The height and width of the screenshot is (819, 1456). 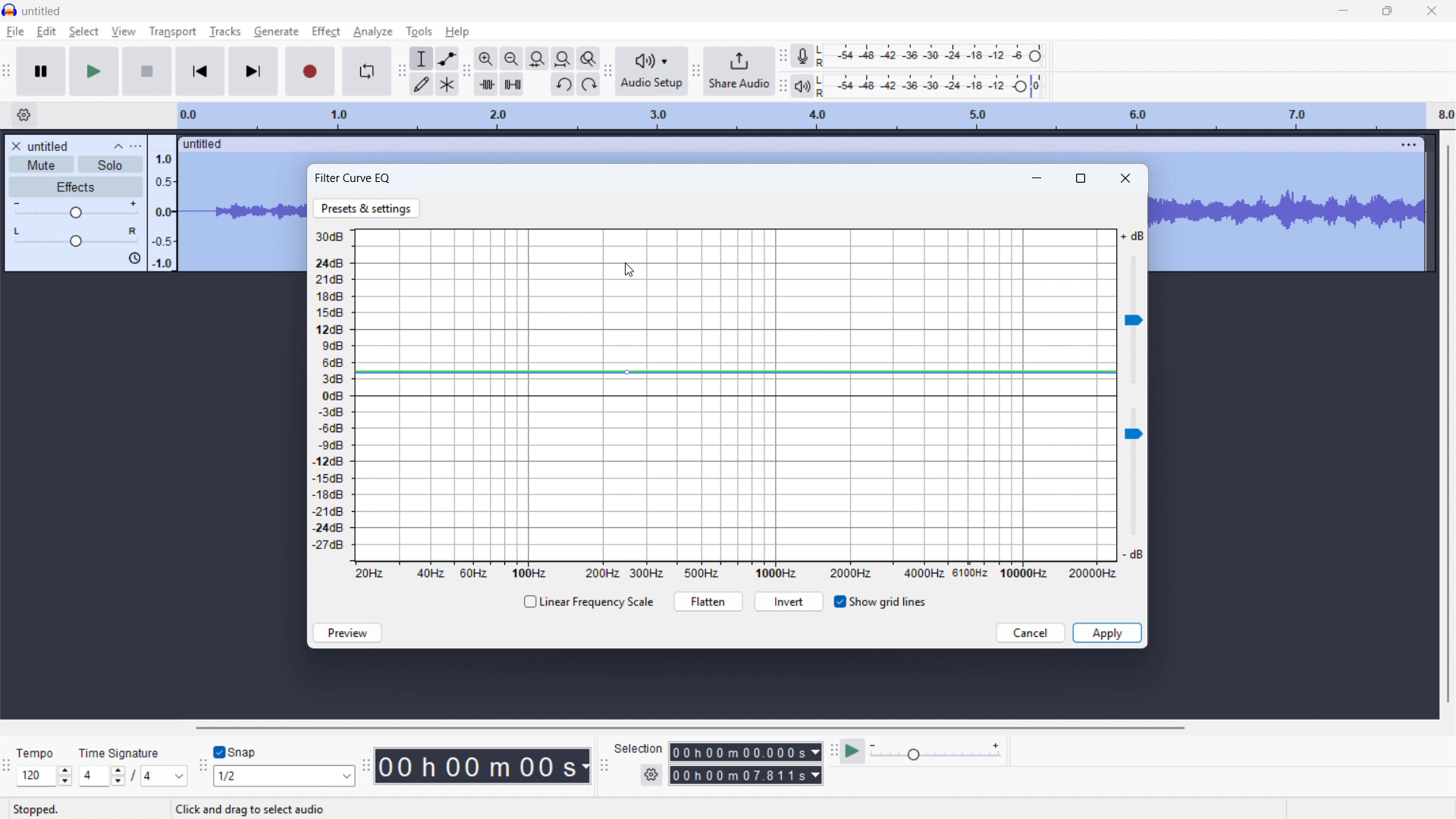 What do you see at coordinates (202, 769) in the screenshot?
I see `Snipping toolbar ` at bounding box center [202, 769].